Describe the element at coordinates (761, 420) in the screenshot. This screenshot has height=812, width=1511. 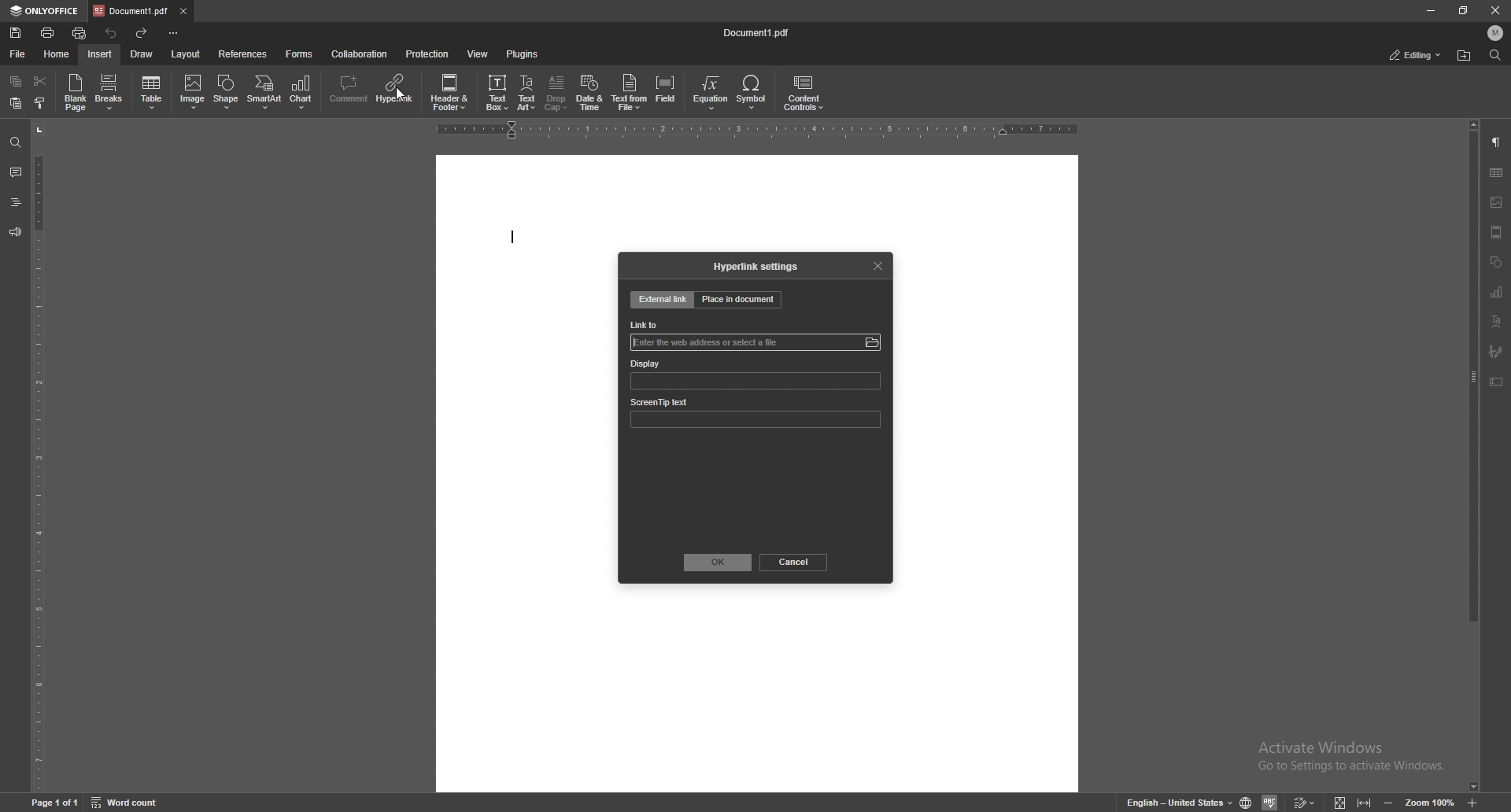
I see `screentip text input` at that location.